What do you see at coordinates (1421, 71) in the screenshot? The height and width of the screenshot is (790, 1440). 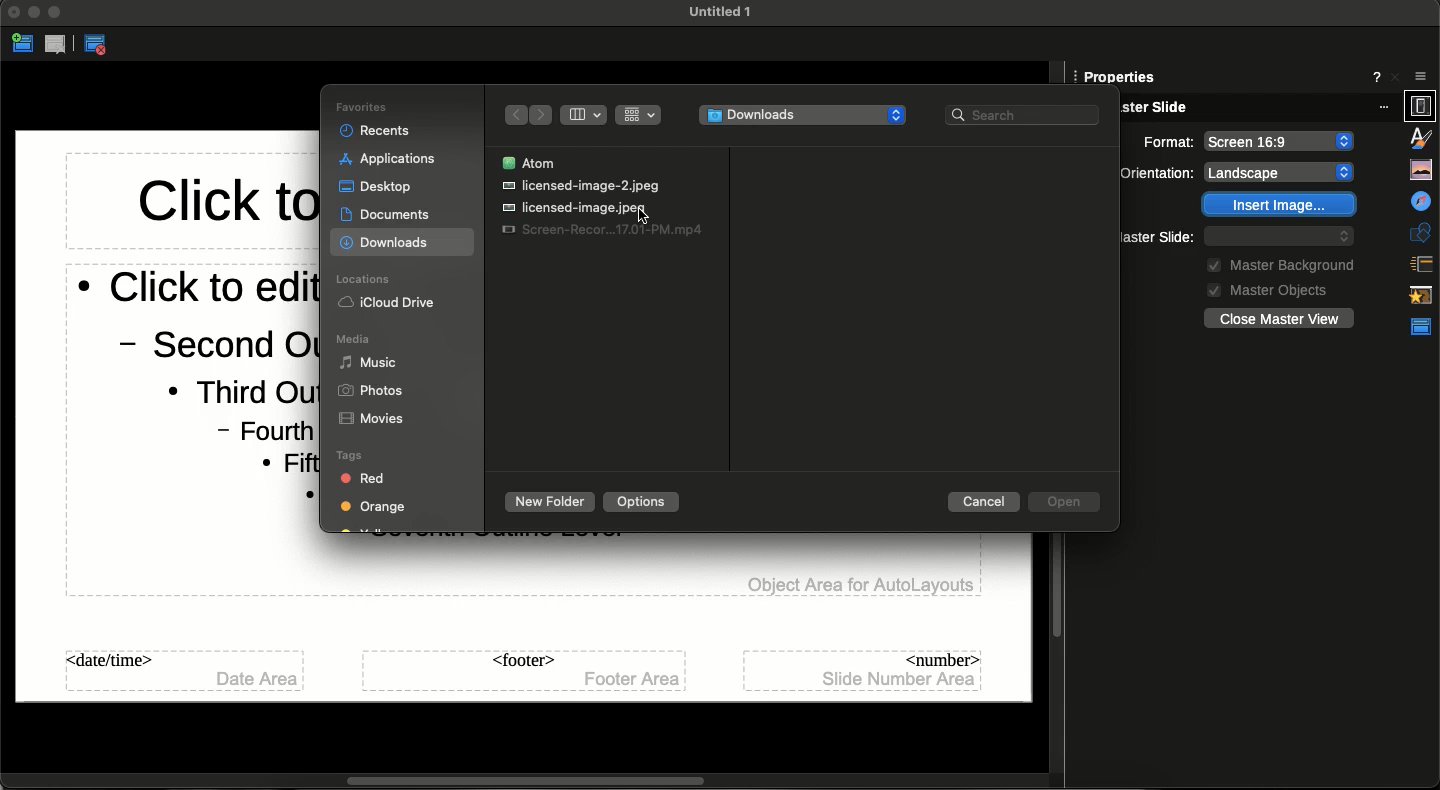 I see `Properties` at bounding box center [1421, 71].